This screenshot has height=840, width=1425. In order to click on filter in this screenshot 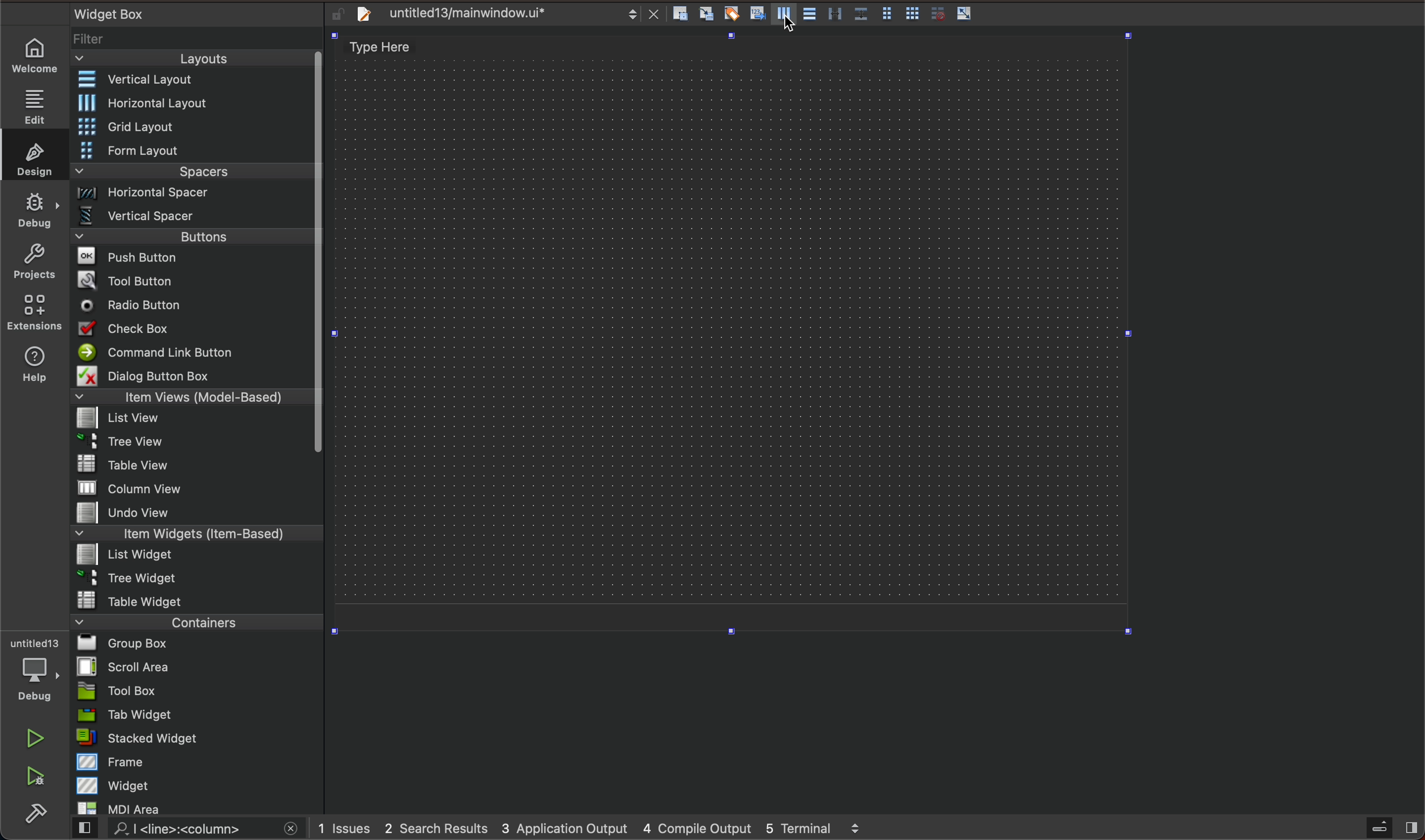, I will do `click(196, 39)`.